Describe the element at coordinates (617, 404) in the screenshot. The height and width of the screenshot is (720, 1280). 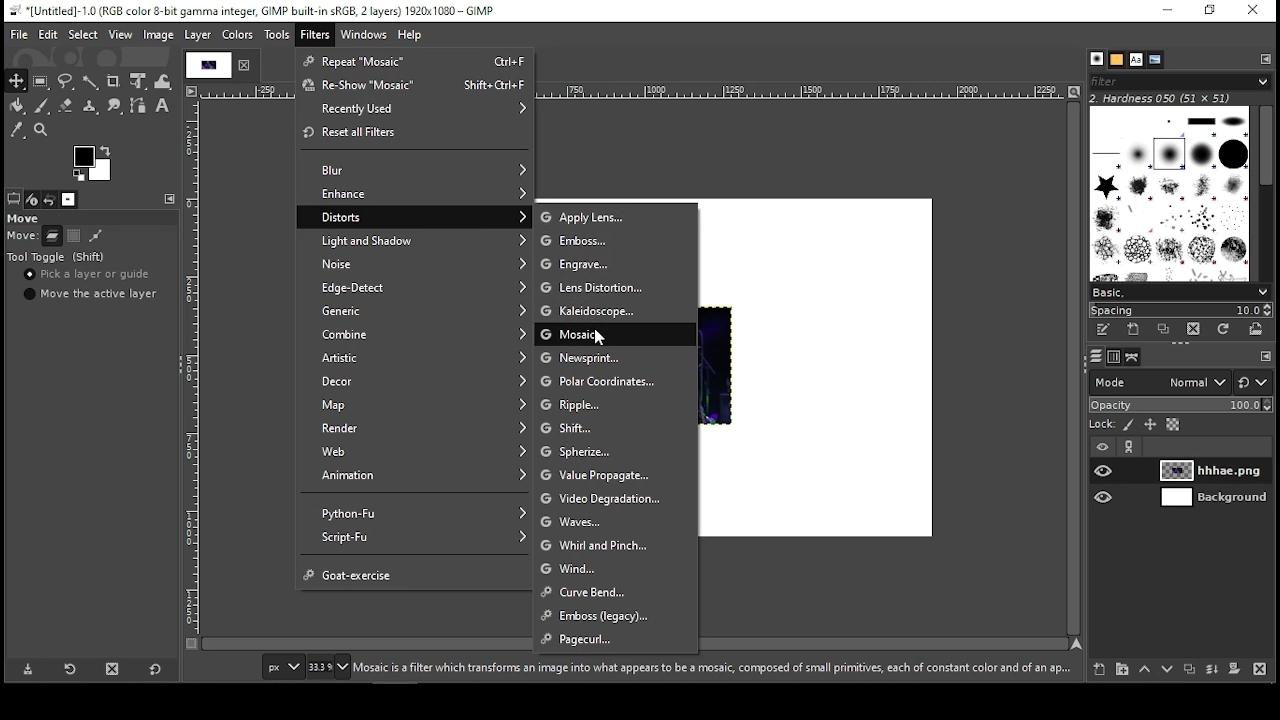
I see `ripple` at that location.